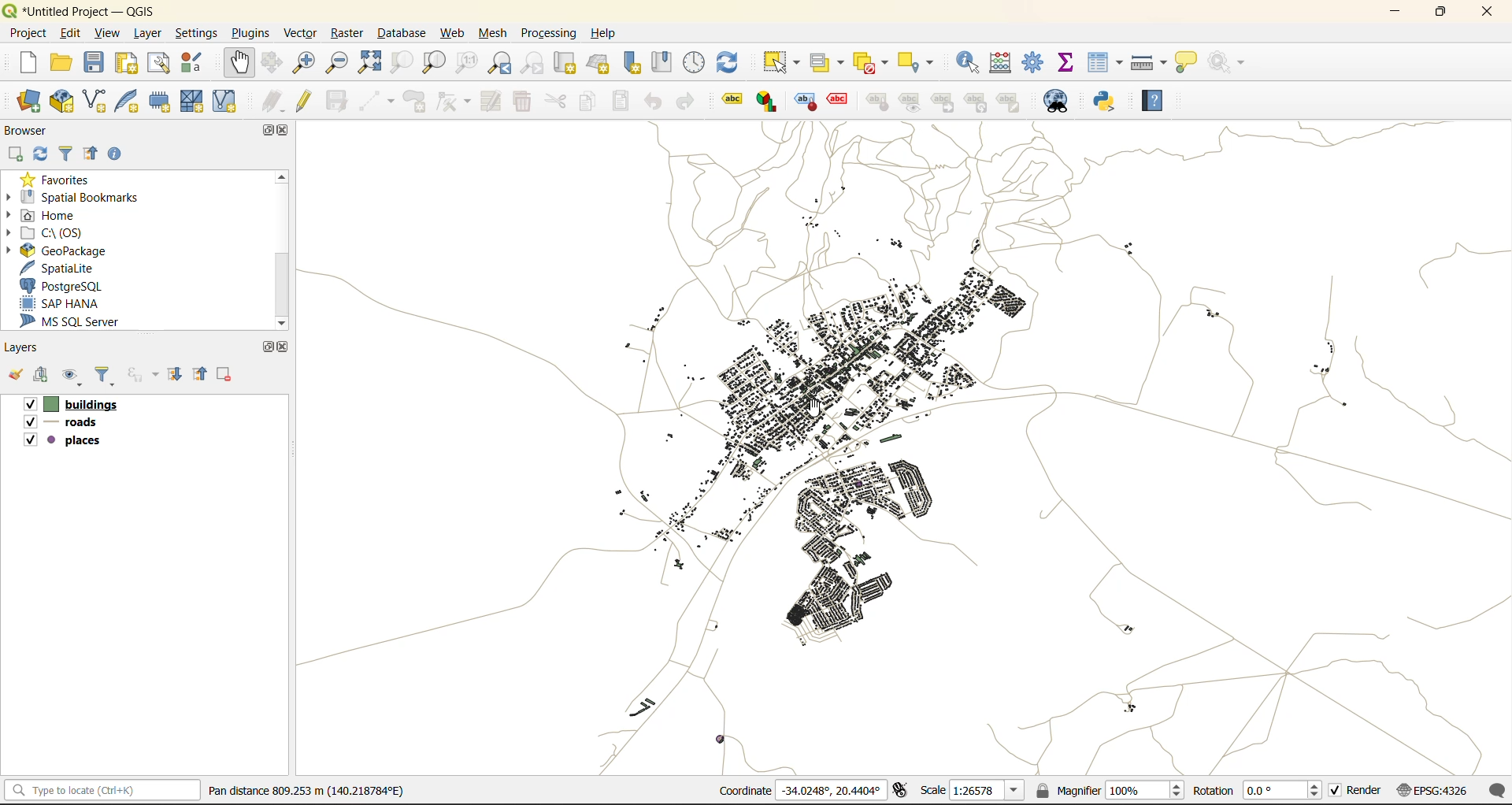 This screenshot has width=1512, height=805. What do you see at coordinates (1489, 15) in the screenshot?
I see `close` at bounding box center [1489, 15].